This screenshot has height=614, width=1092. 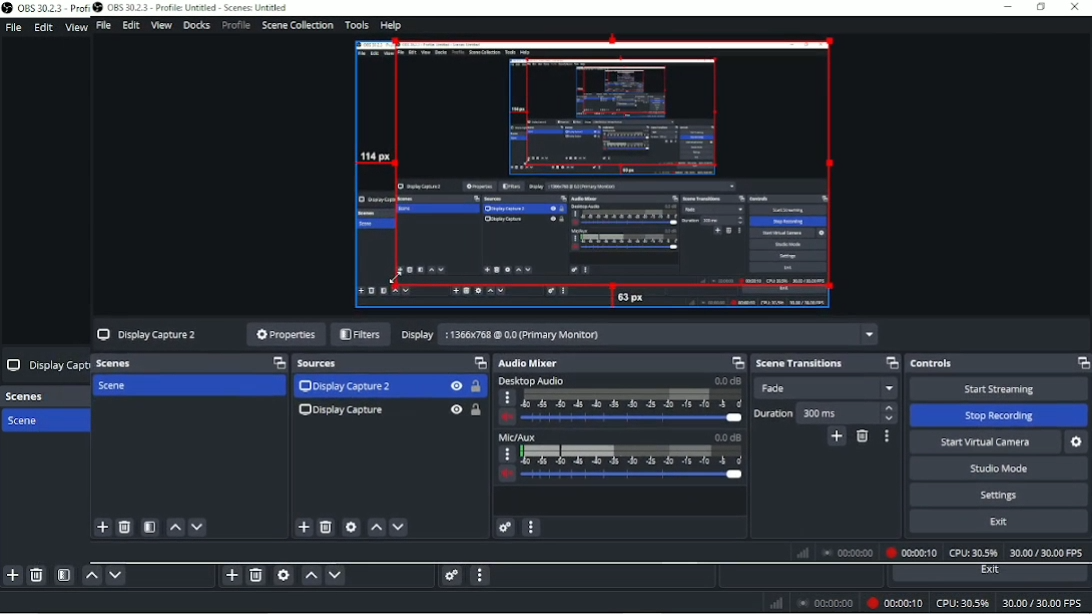 I want to click on 00:00:00, so click(x=825, y=603).